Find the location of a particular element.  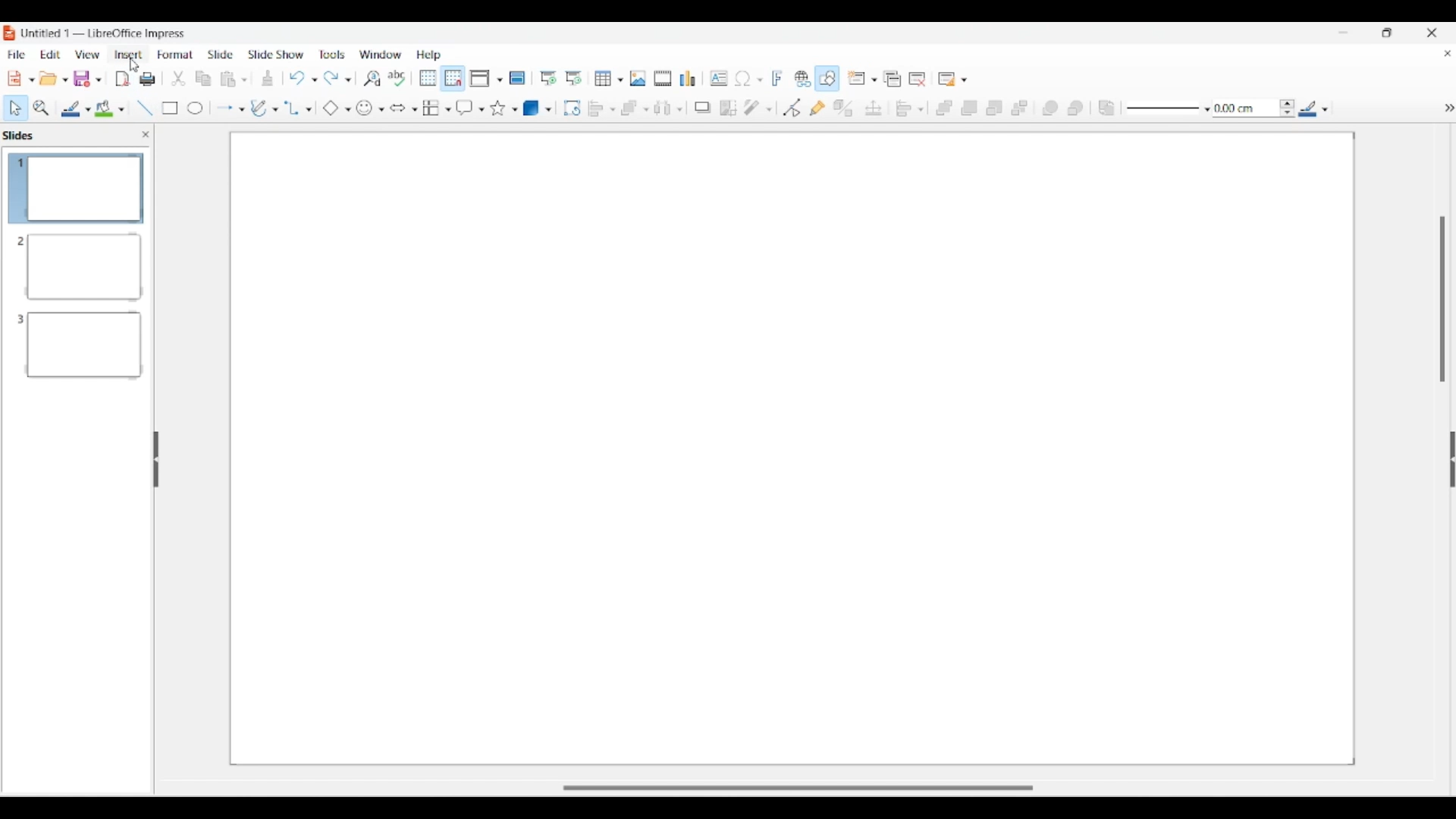

Slide 2 is located at coordinates (79, 265).